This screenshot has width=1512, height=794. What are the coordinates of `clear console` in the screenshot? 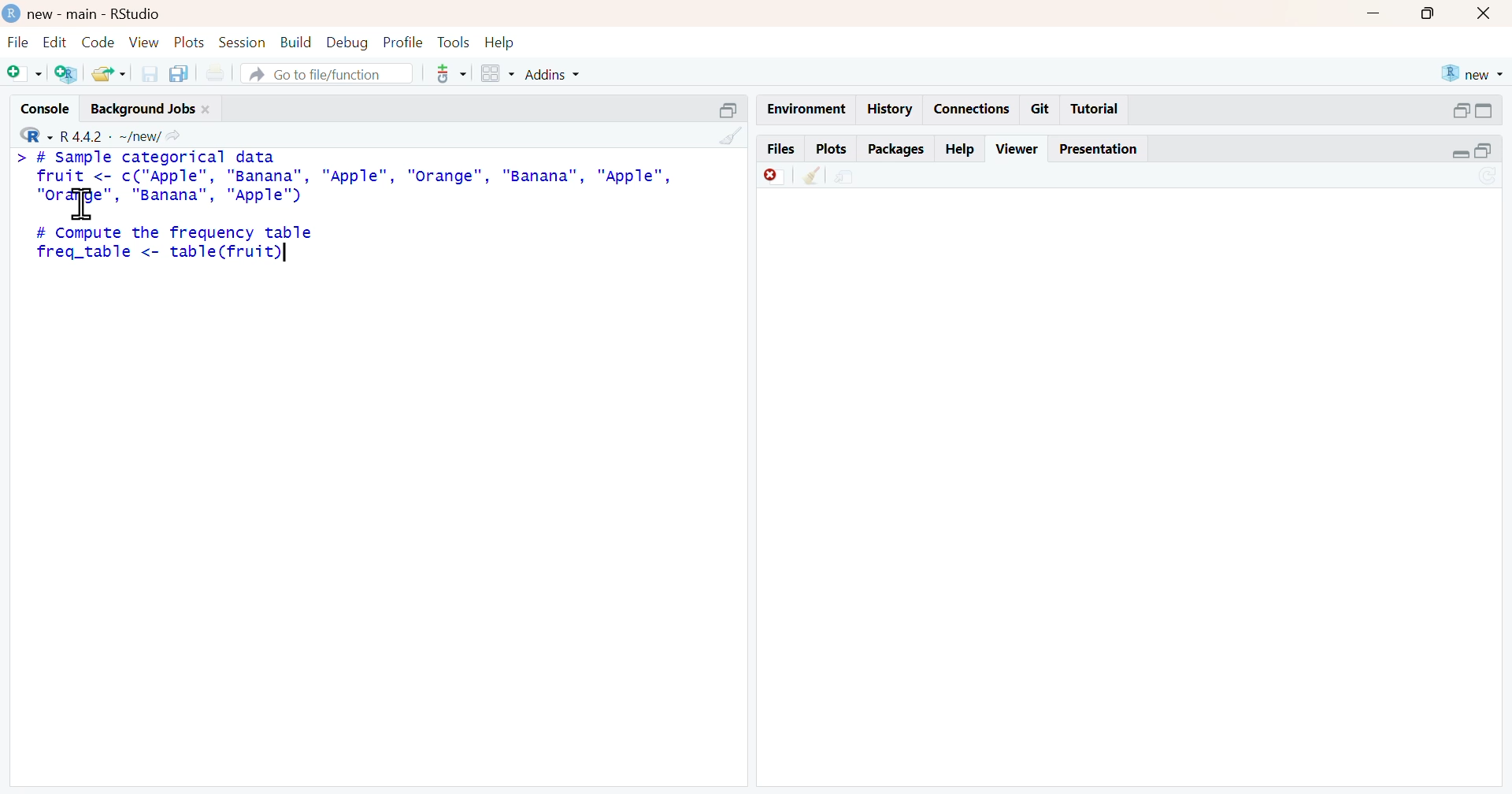 It's located at (730, 137).